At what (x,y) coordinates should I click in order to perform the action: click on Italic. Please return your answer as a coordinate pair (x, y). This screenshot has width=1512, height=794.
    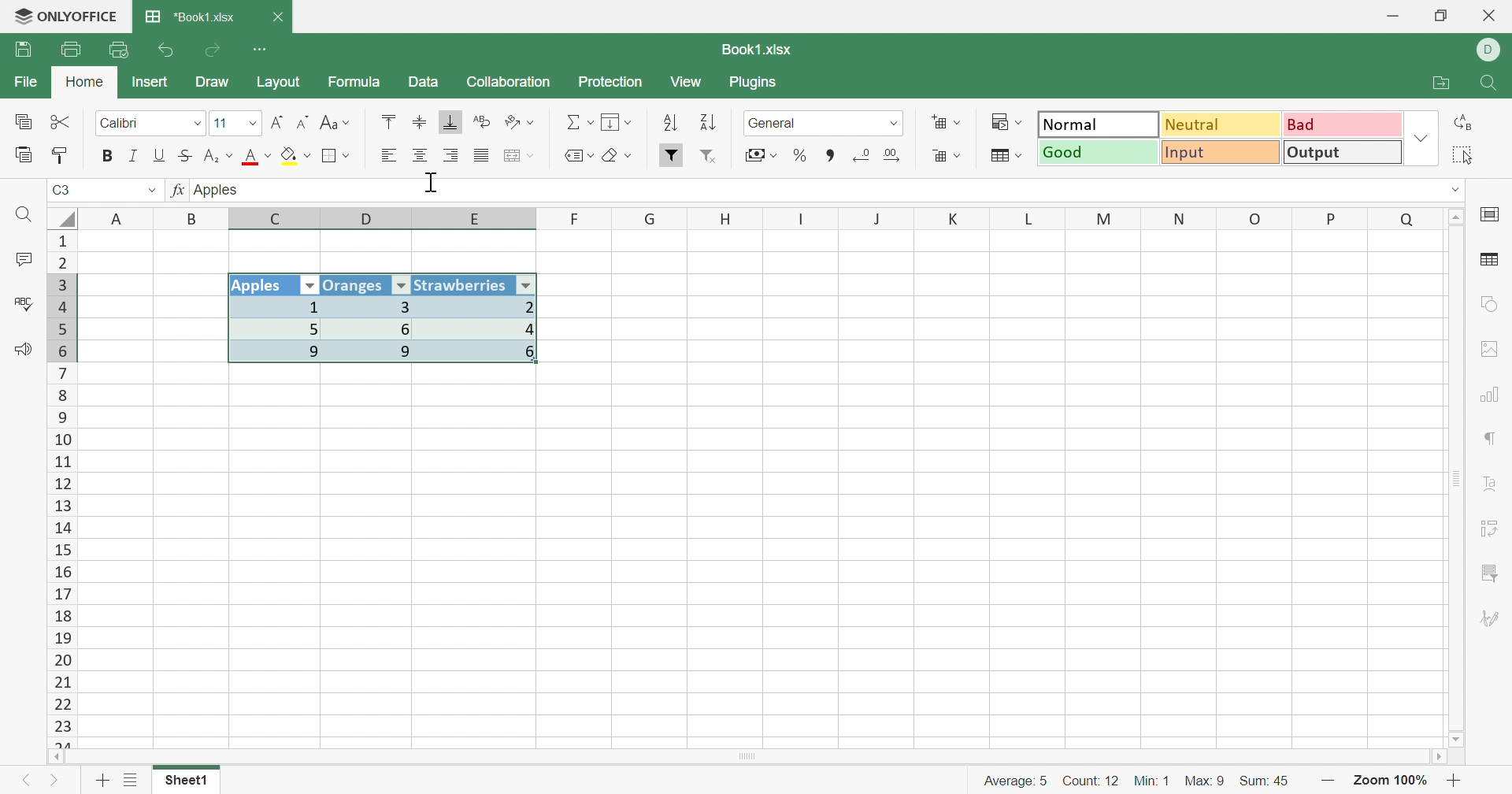
    Looking at the image, I should click on (132, 156).